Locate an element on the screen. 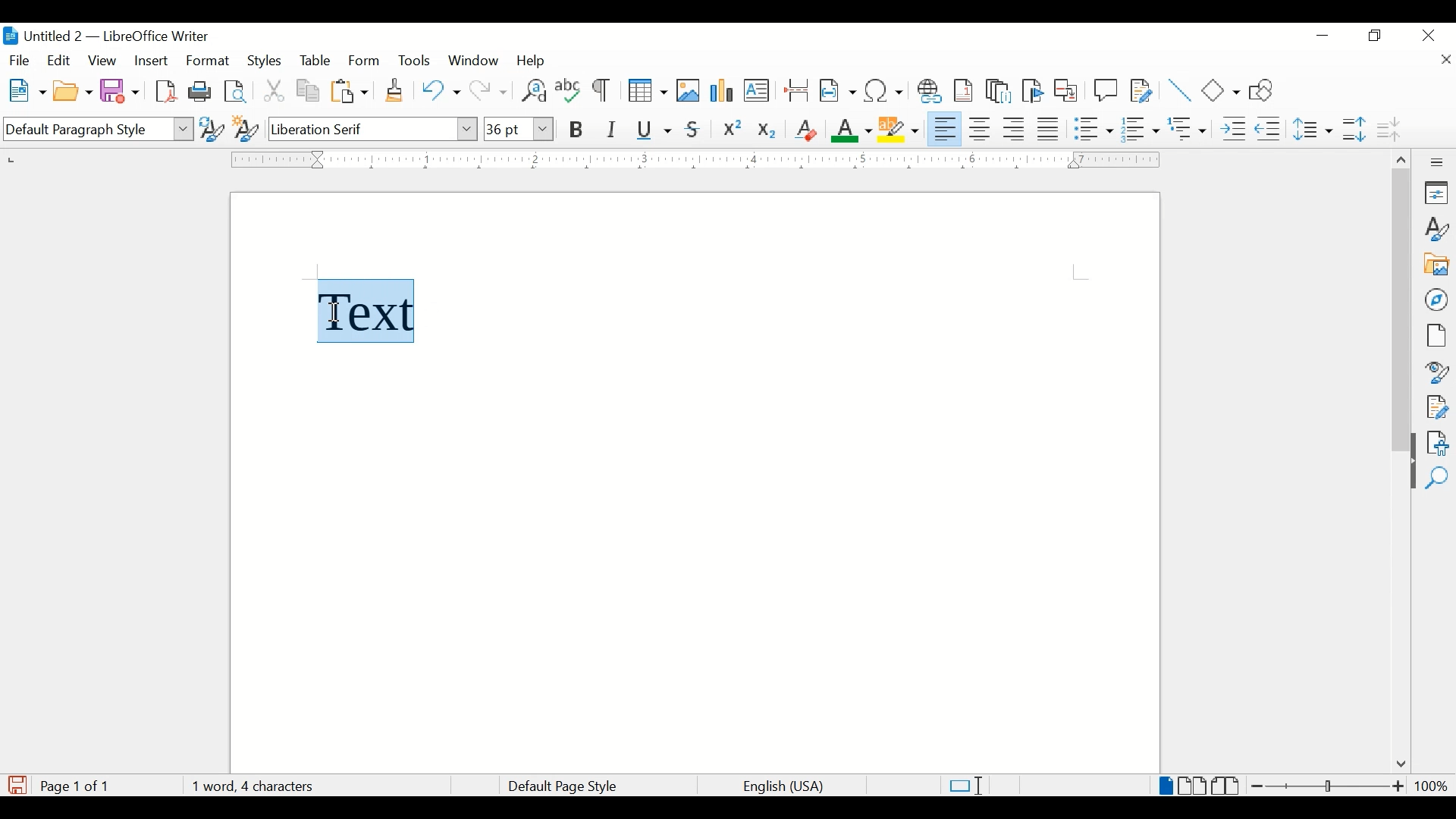  copy is located at coordinates (309, 91).